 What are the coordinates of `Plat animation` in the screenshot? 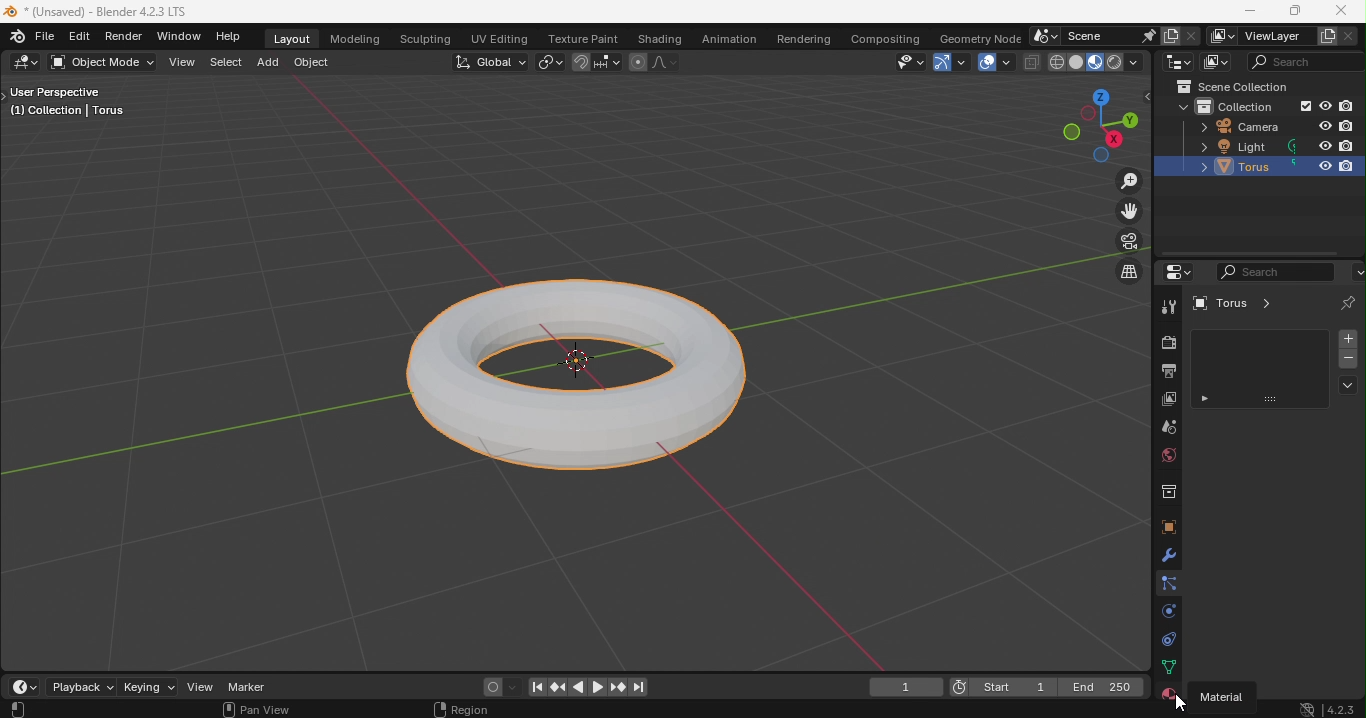 It's located at (598, 689).